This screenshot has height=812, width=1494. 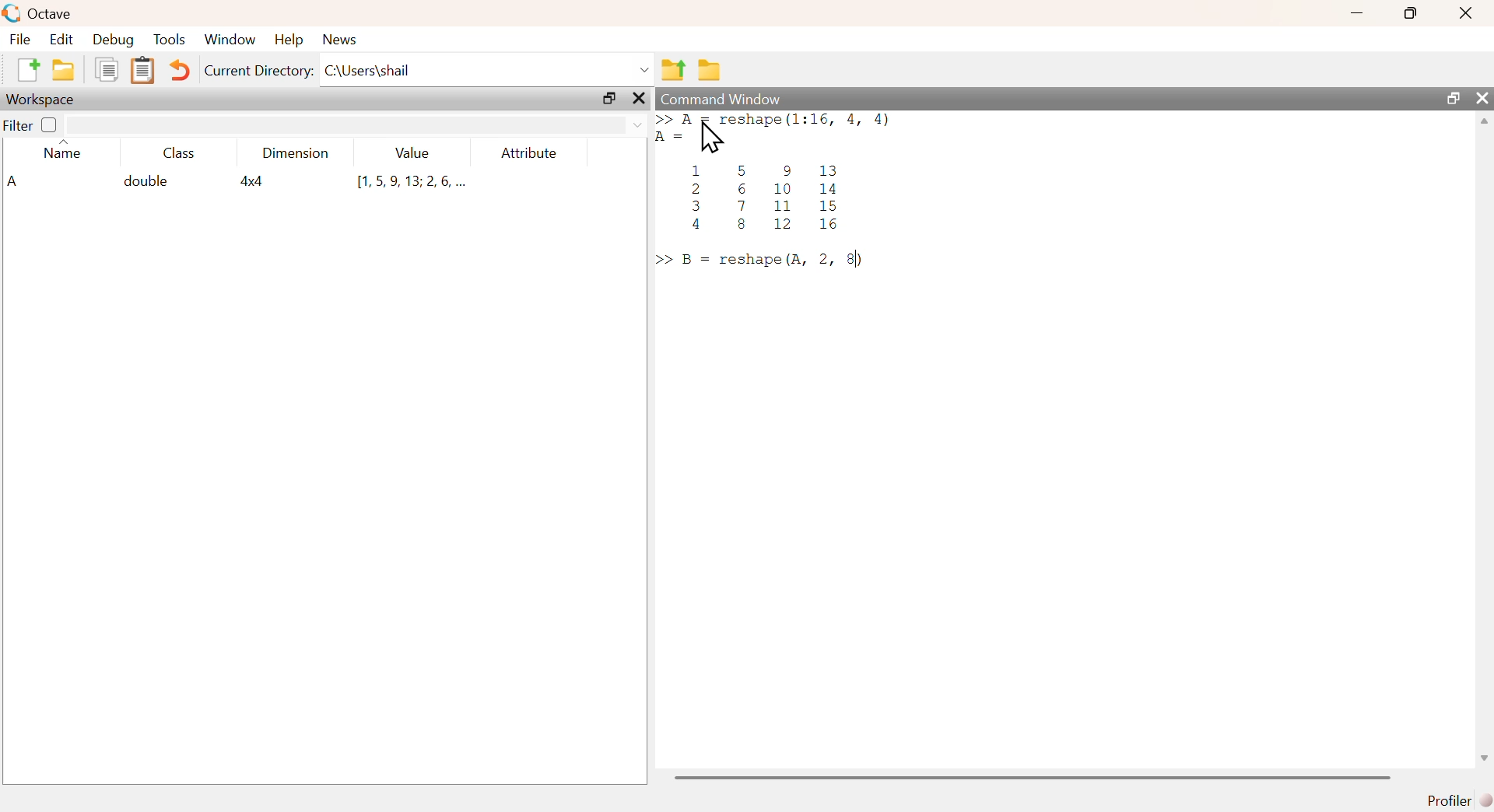 I want to click on File, so click(x=22, y=40).